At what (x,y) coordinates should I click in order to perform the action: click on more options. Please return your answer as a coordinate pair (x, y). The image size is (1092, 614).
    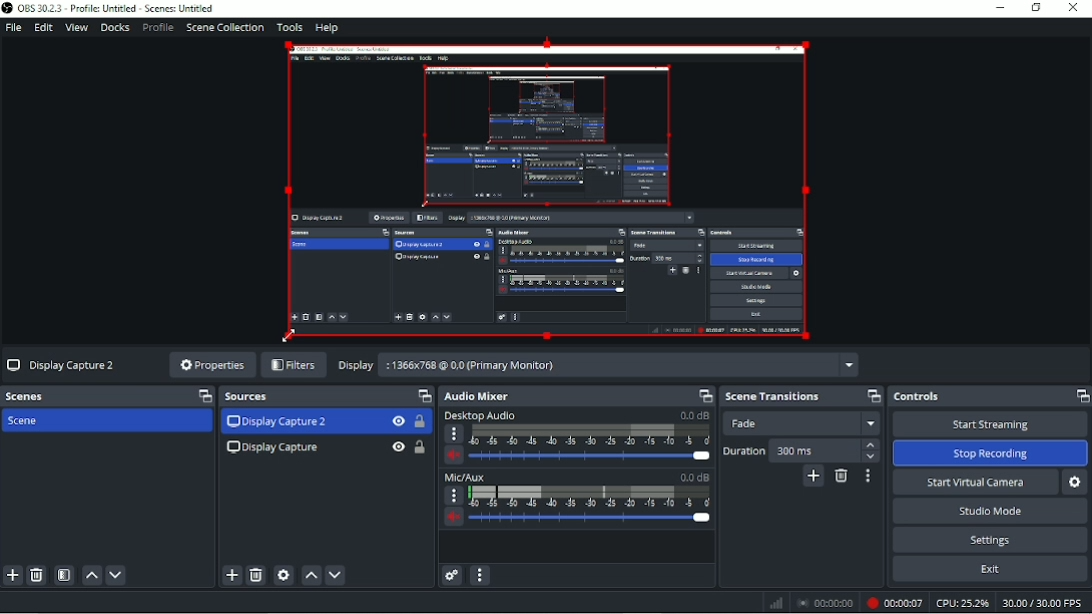
    Looking at the image, I should click on (454, 434).